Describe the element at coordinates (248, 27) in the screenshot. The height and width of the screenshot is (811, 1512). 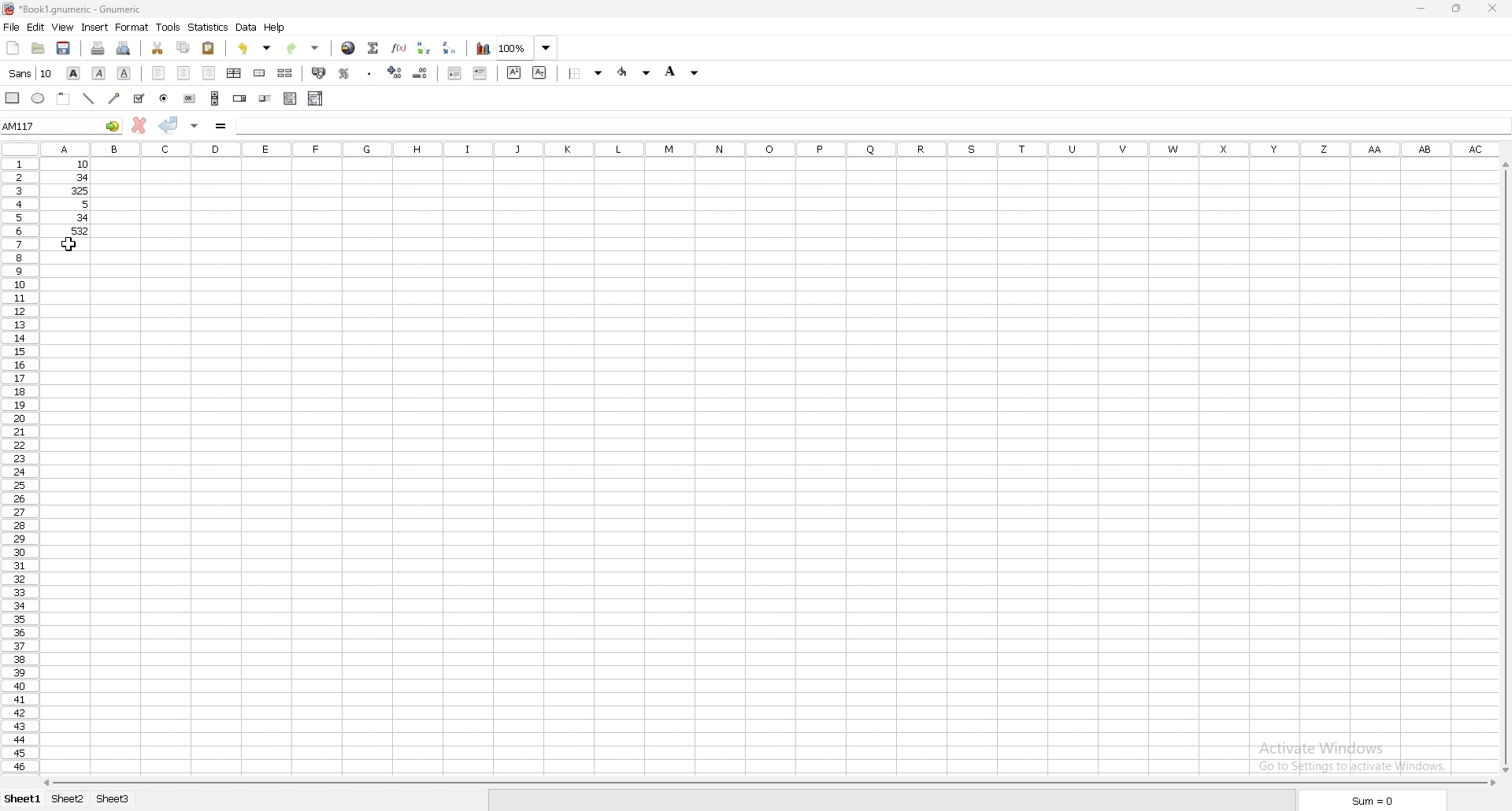
I see `data` at that location.